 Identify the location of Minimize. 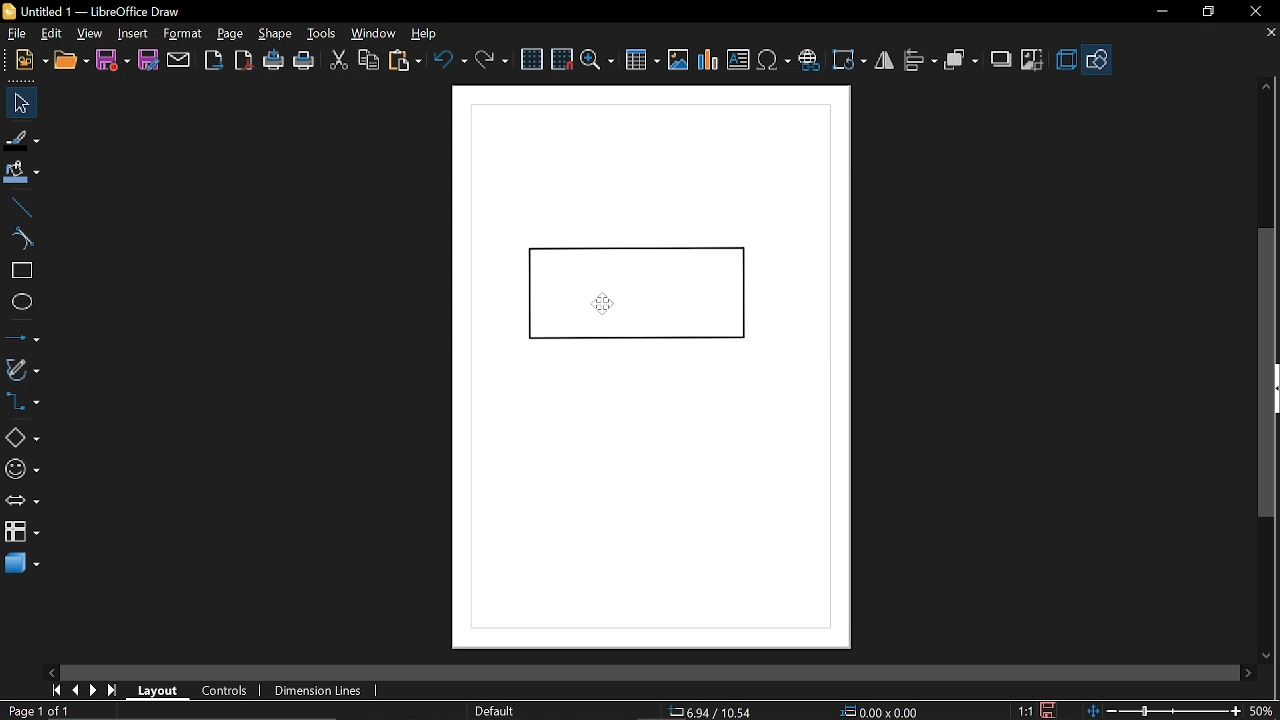
(1160, 13).